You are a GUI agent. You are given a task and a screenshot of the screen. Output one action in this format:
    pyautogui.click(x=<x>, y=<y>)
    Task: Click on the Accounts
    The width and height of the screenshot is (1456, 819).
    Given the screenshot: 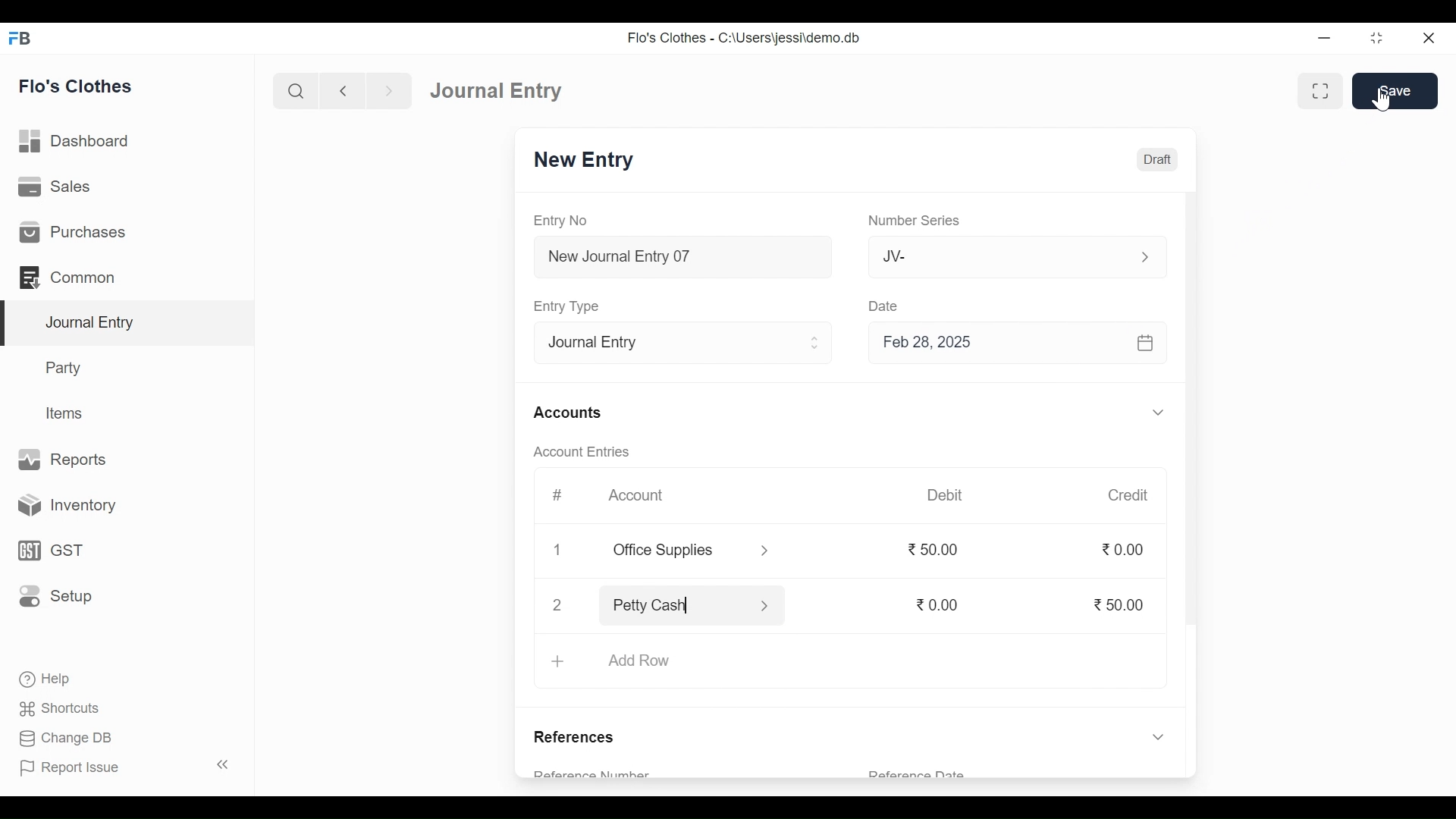 What is the action you would take?
    pyautogui.click(x=567, y=413)
    